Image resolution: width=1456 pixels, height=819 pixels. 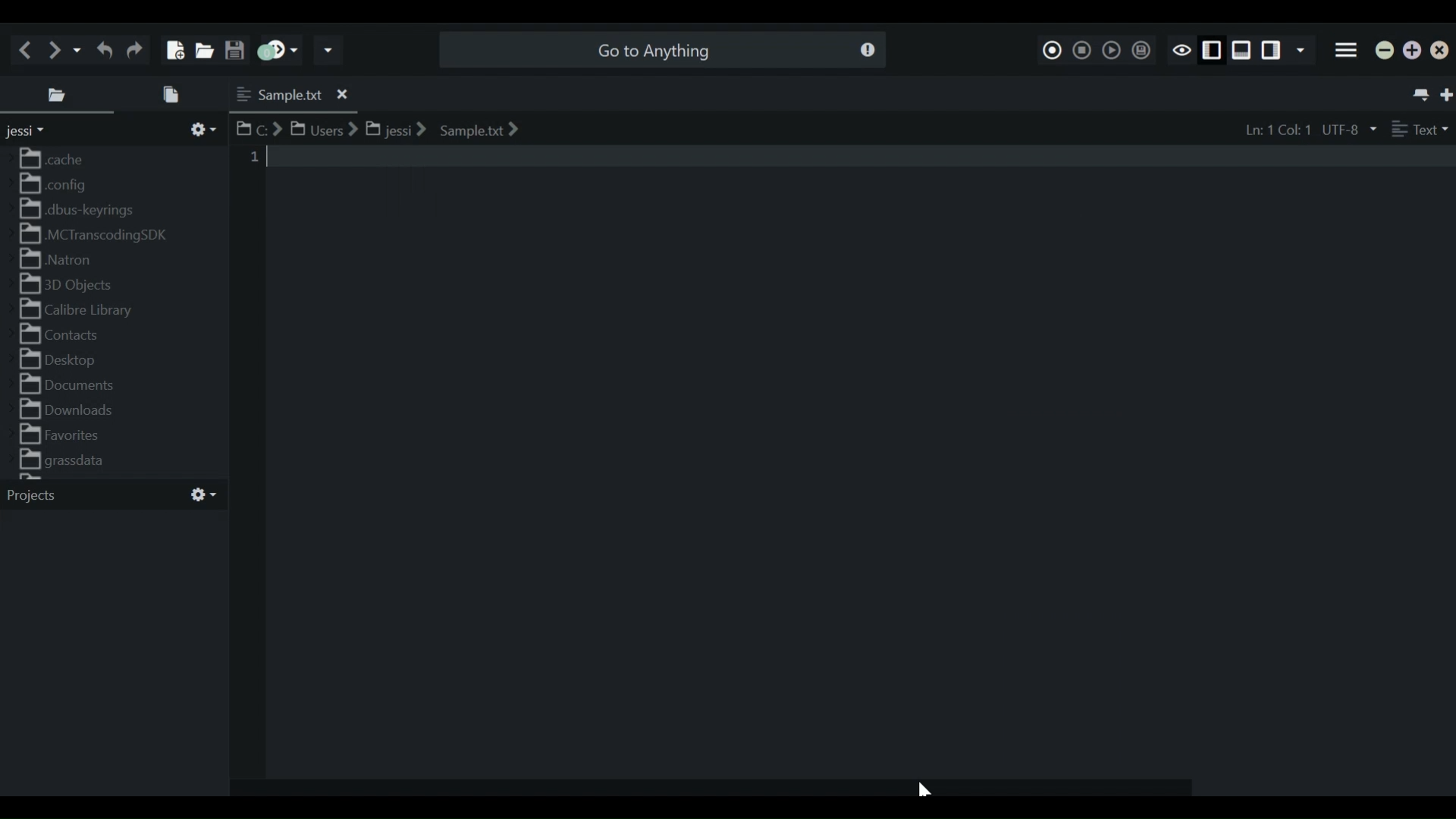 What do you see at coordinates (235, 49) in the screenshot?
I see `Save file` at bounding box center [235, 49].